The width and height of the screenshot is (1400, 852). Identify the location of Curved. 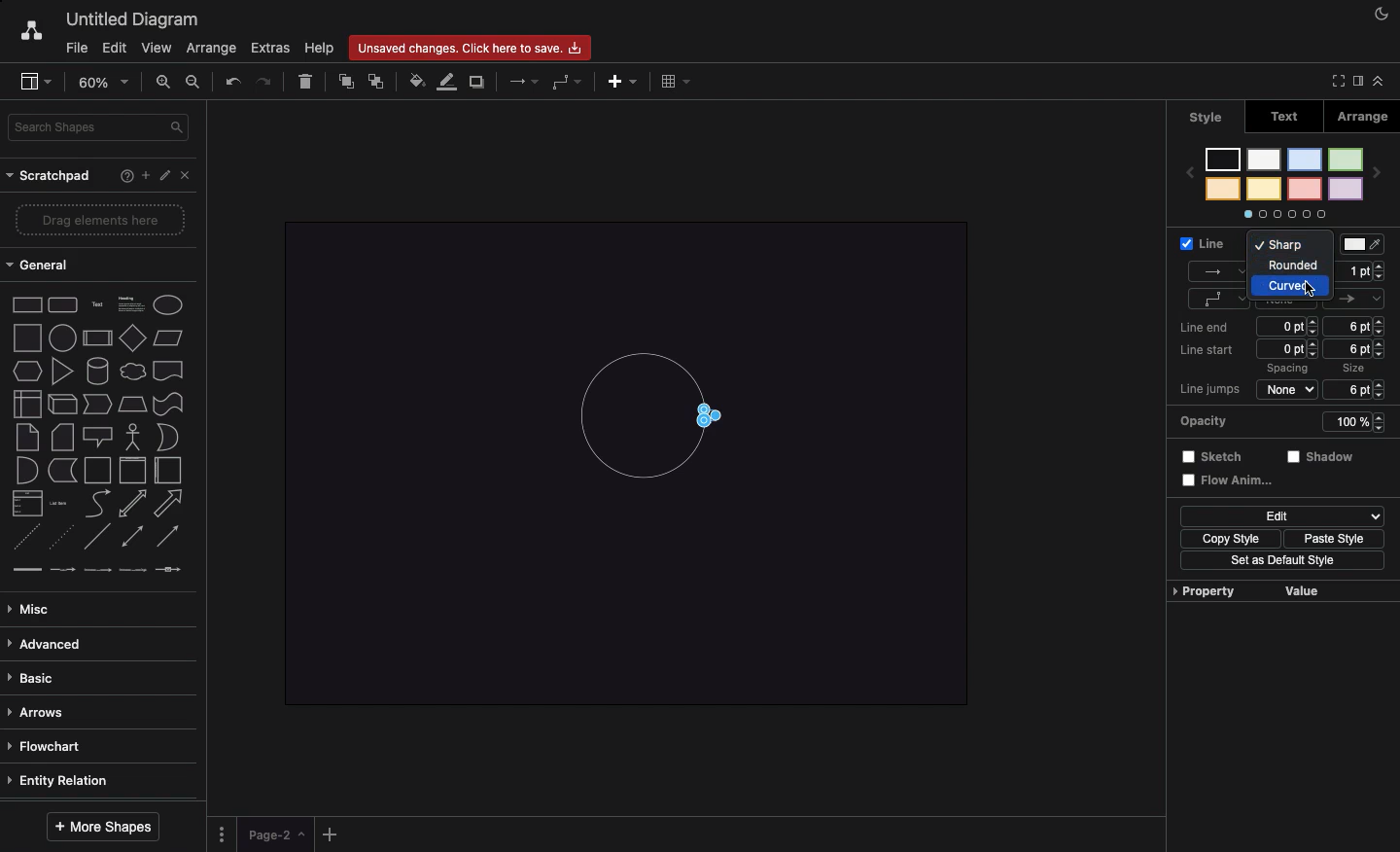
(1297, 287).